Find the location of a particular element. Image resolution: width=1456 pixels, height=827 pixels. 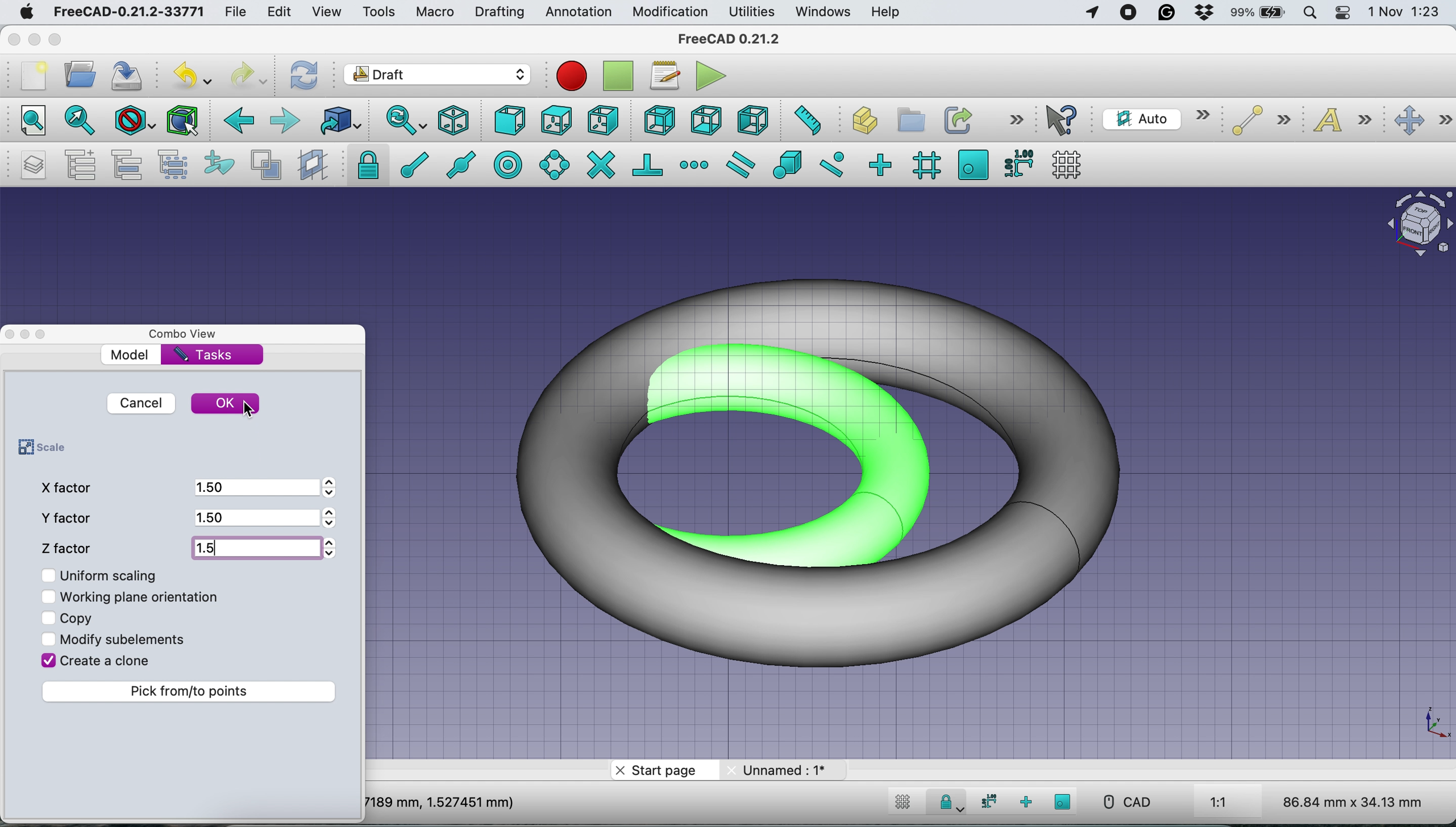

Scaled Torus is located at coordinates (835, 469).